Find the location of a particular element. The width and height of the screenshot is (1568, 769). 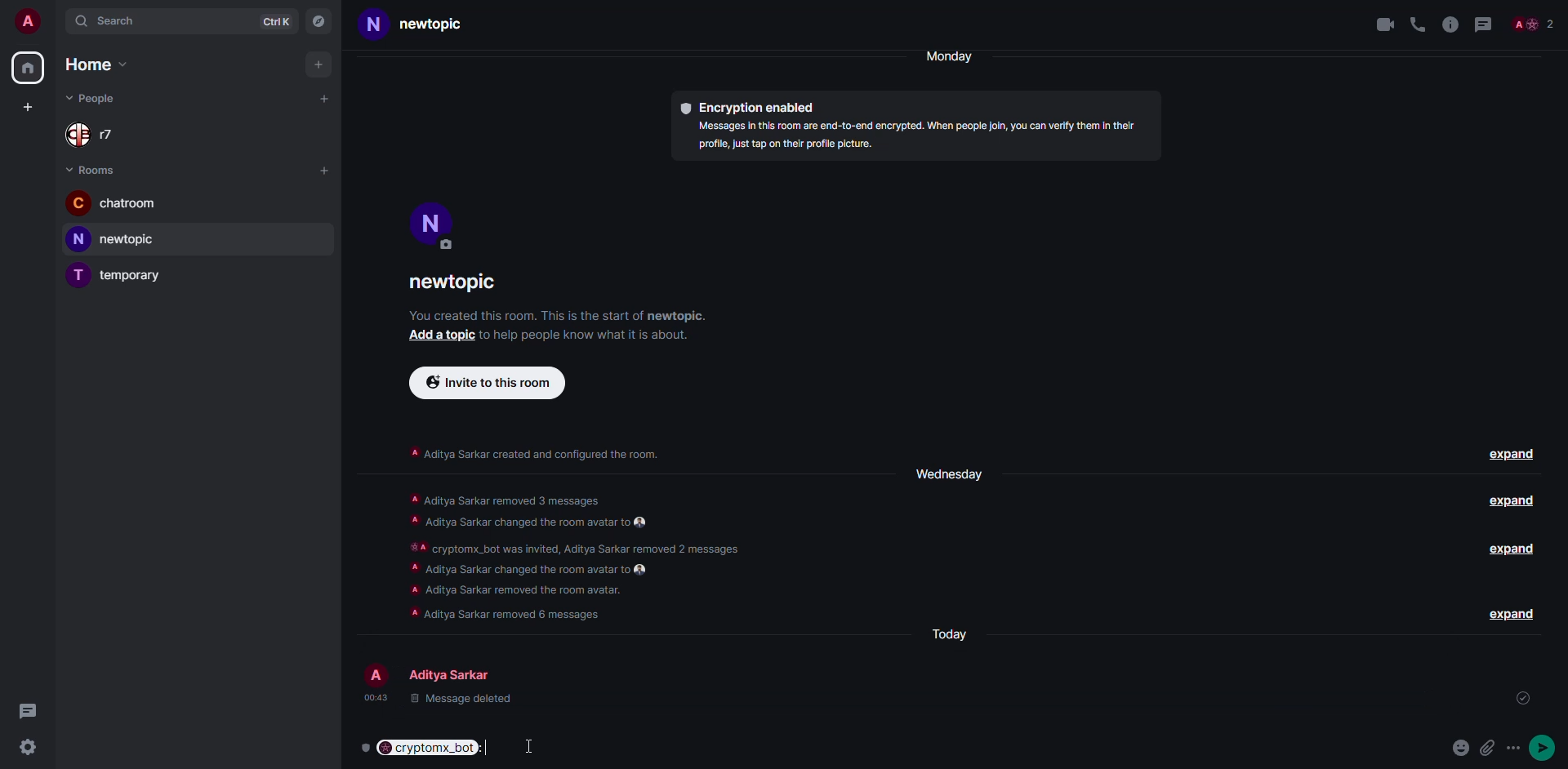

ctrlK is located at coordinates (275, 21).